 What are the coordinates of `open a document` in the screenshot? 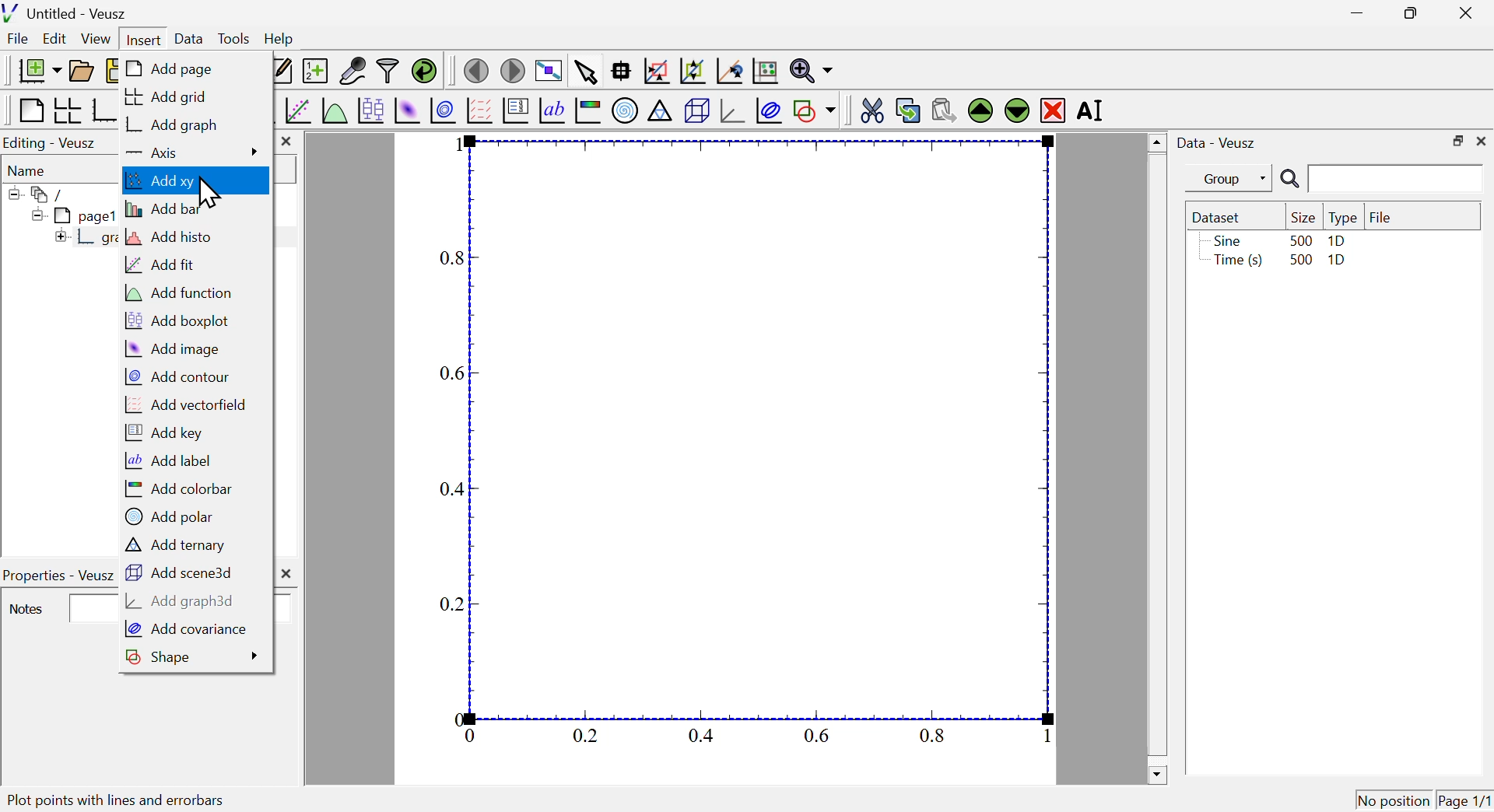 It's located at (83, 69).